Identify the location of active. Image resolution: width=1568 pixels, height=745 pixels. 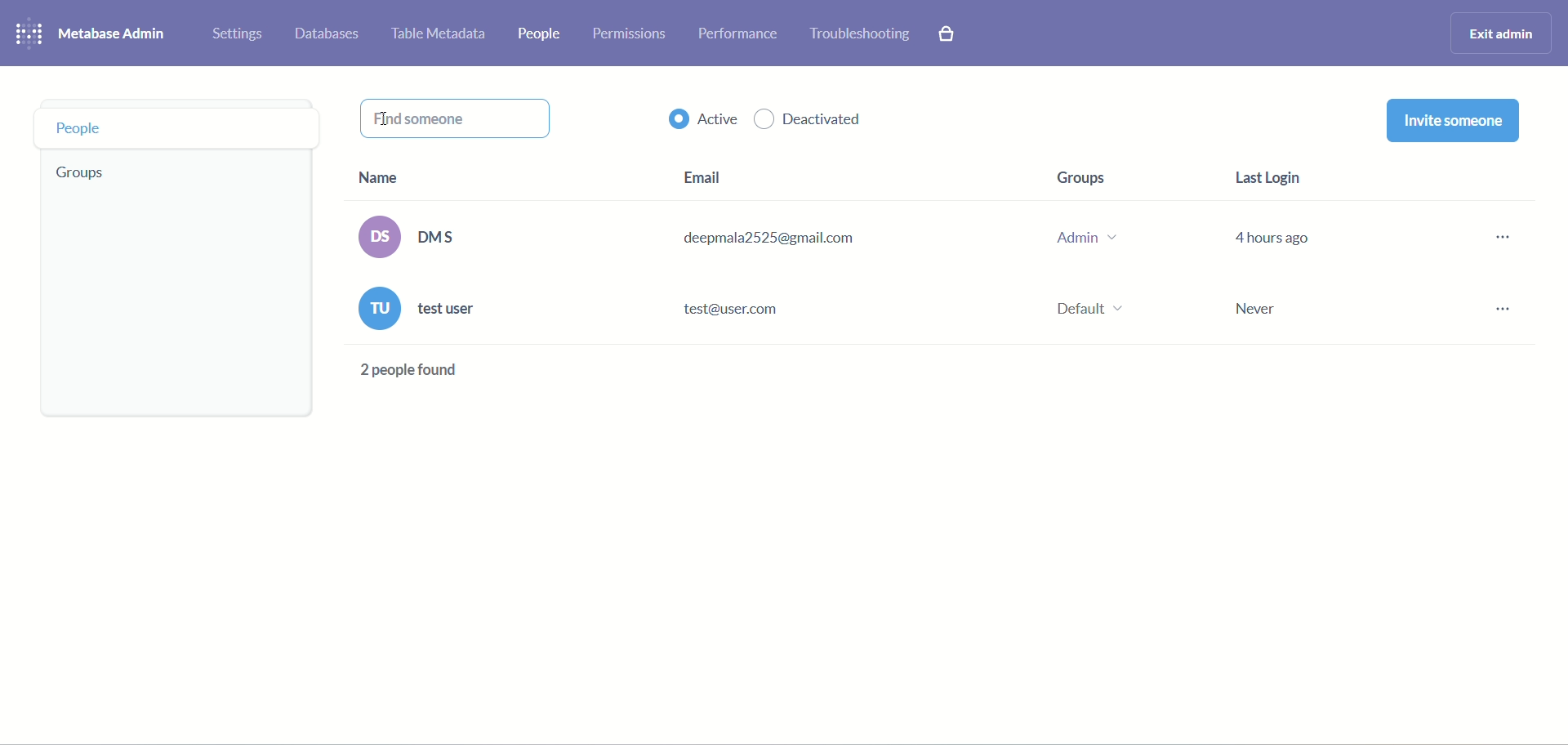
(697, 118).